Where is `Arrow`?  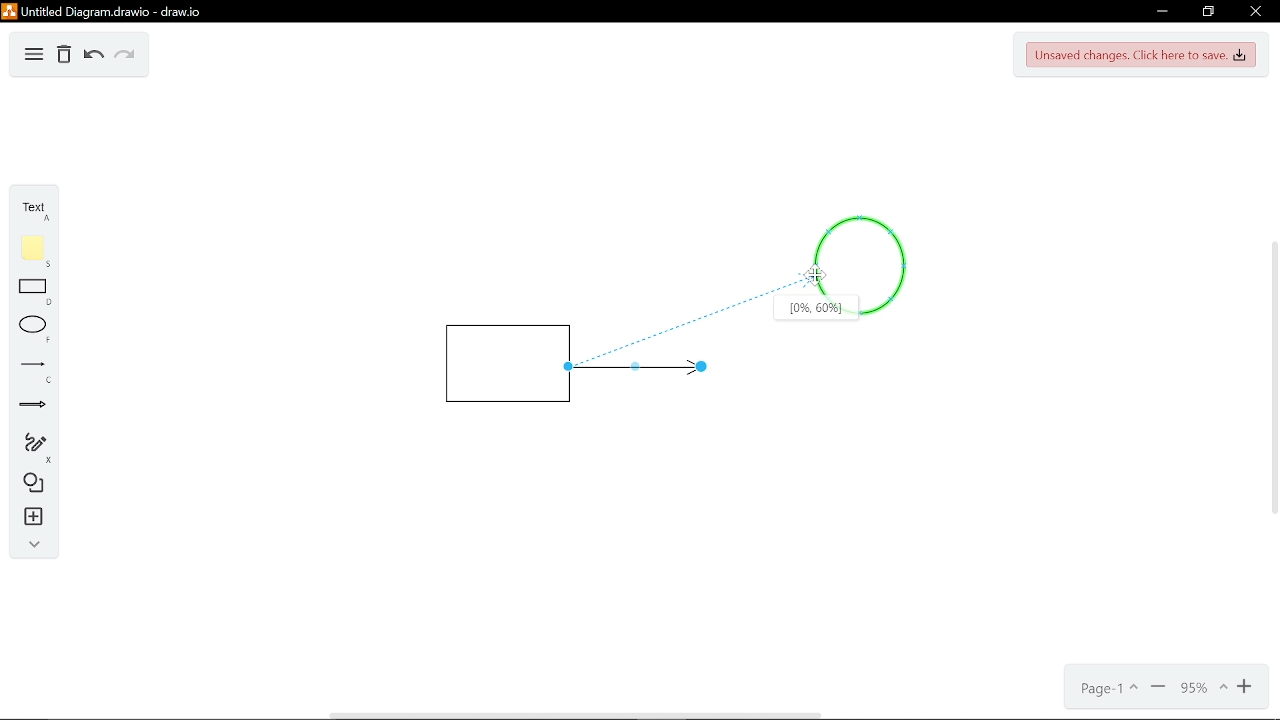
Arrow is located at coordinates (28, 407).